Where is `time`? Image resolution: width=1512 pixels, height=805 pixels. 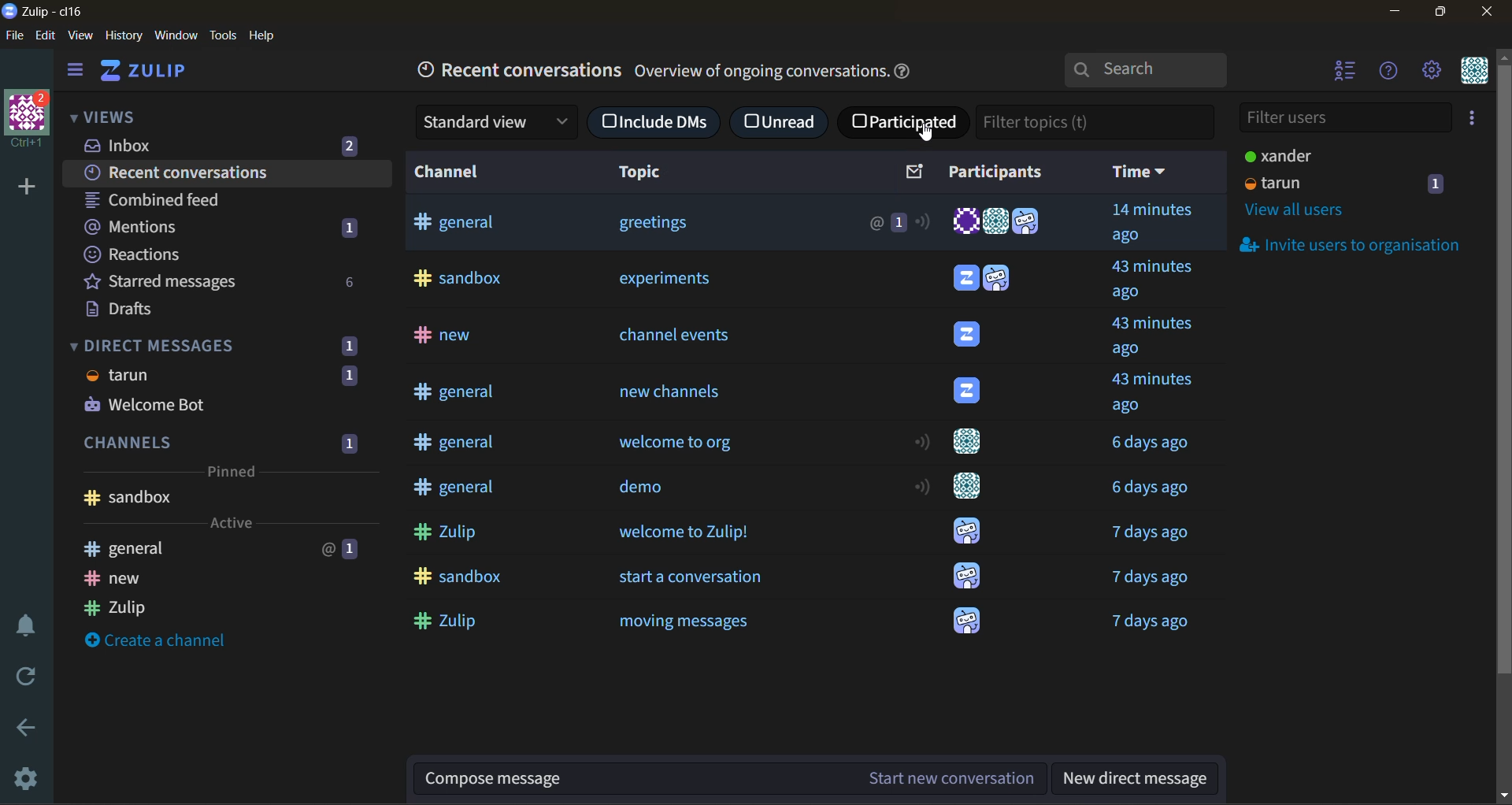 time is located at coordinates (1144, 223).